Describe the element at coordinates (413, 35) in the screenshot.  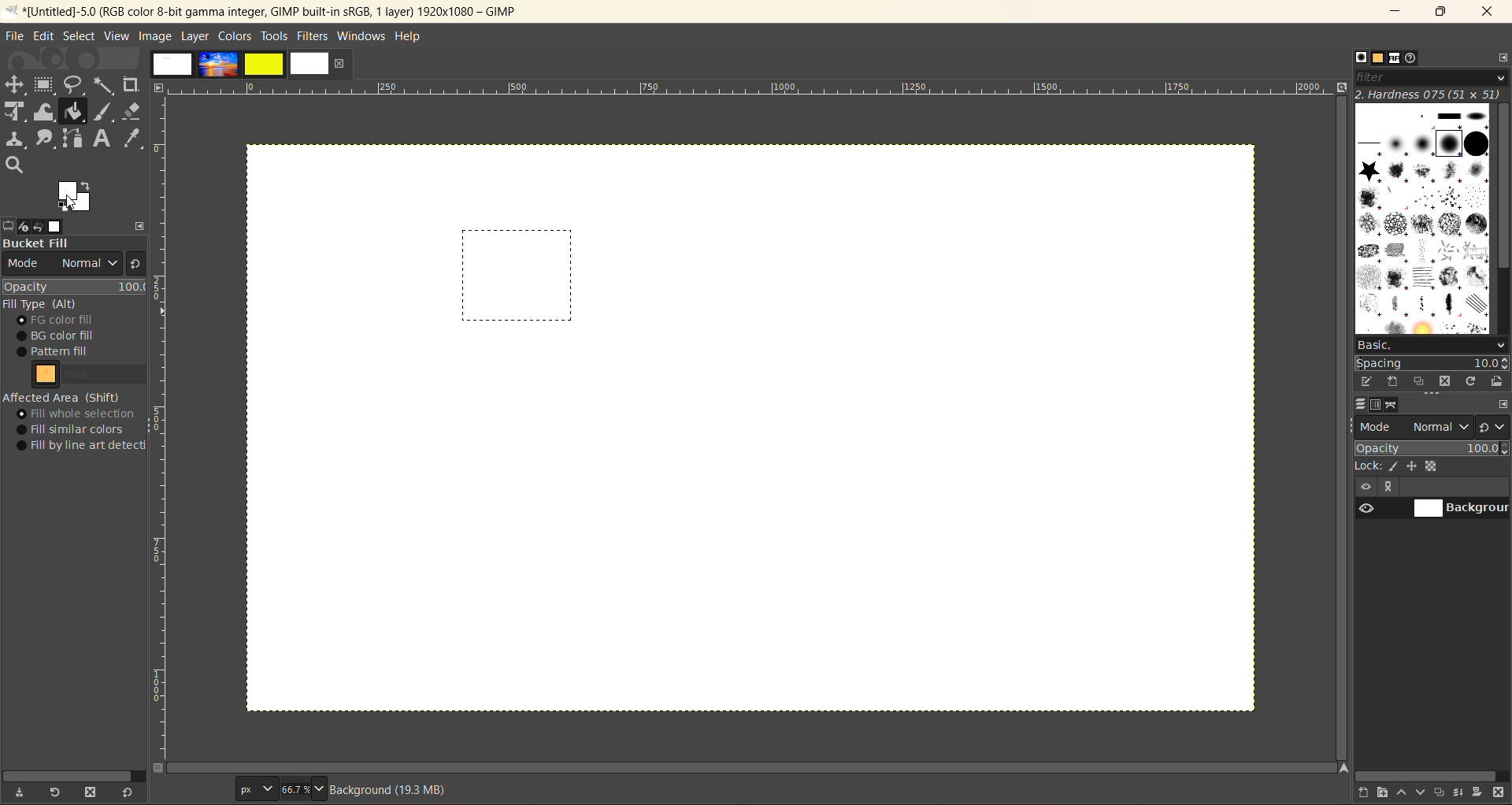
I see `help` at that location.